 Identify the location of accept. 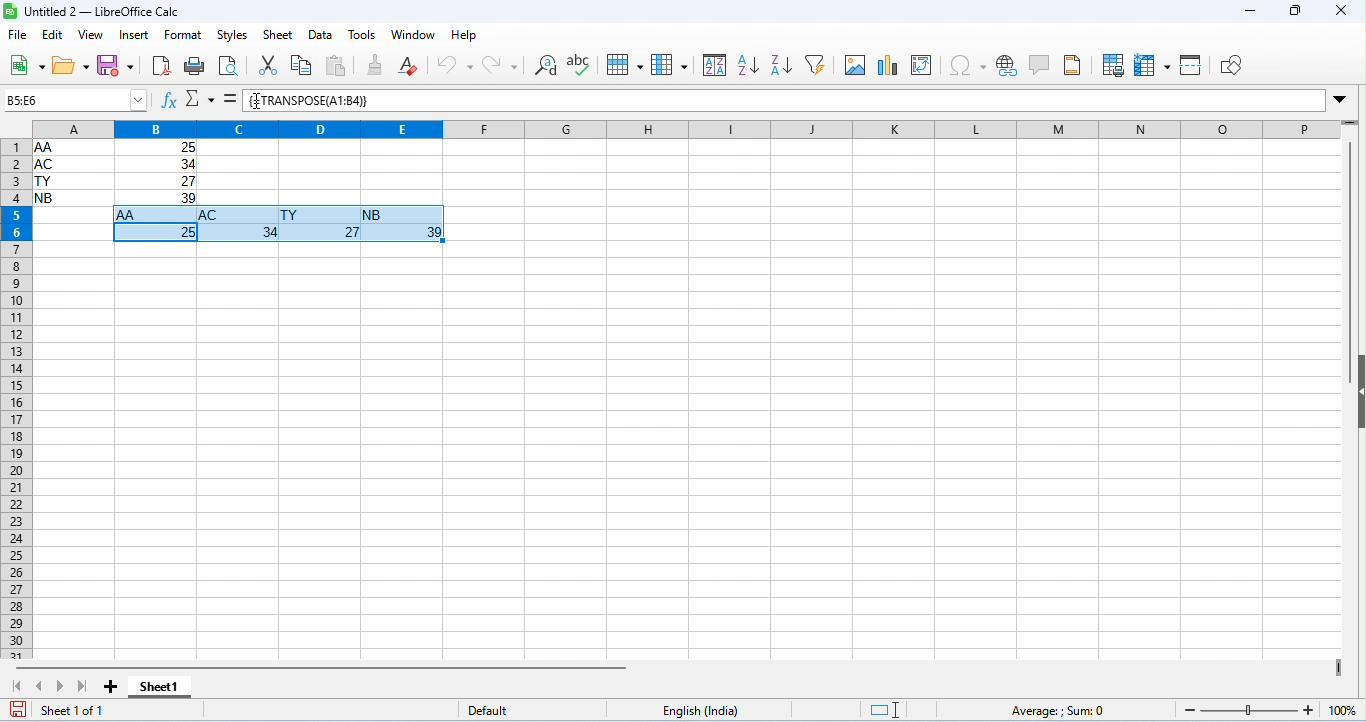
(228, 99).